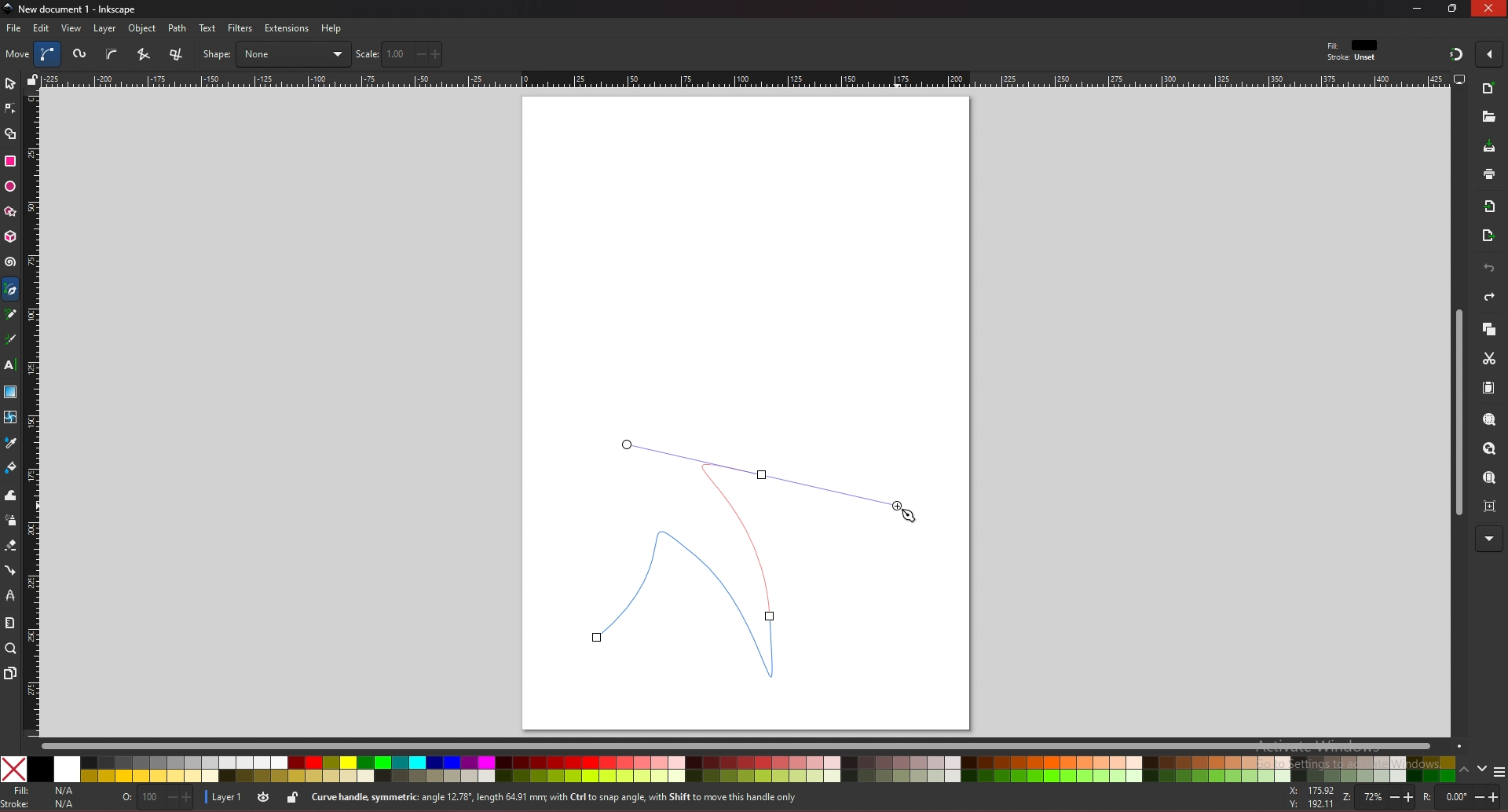  What do you see at coordinates (11, 594) in the screenshot?
I see `lpe` at bounding box center [11, 594].